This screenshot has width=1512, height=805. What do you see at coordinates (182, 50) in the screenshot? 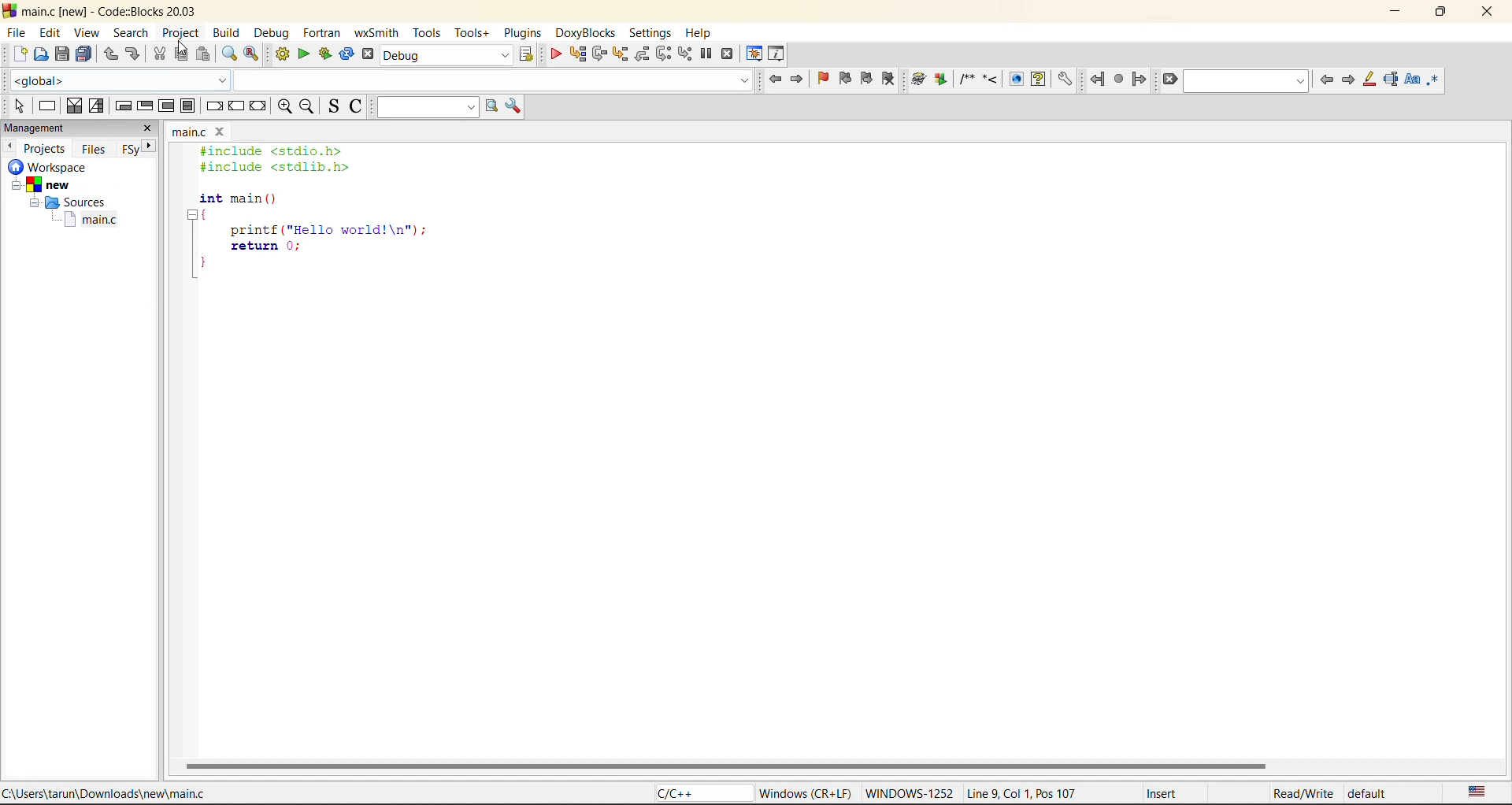
I see `Cursor` at bounding box center [182, 50].